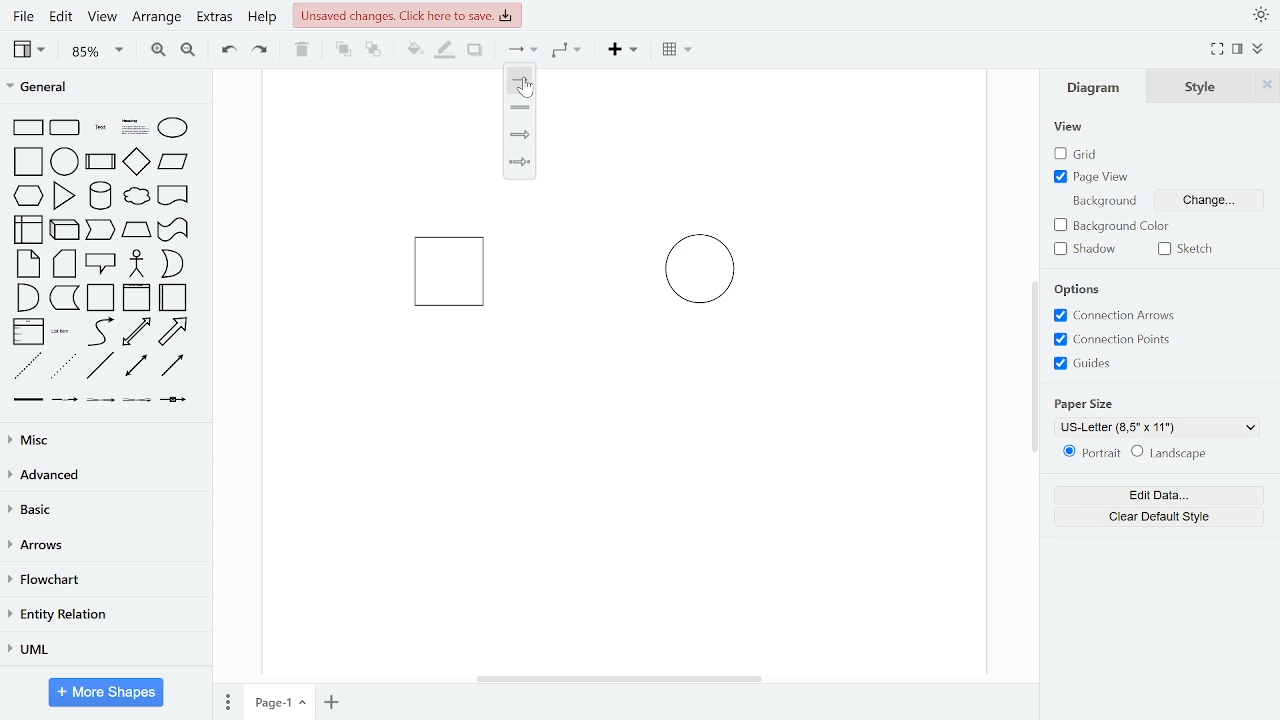  Describe the element at coordinates (374, 51) in the screenshot. I see `to back` at that location.